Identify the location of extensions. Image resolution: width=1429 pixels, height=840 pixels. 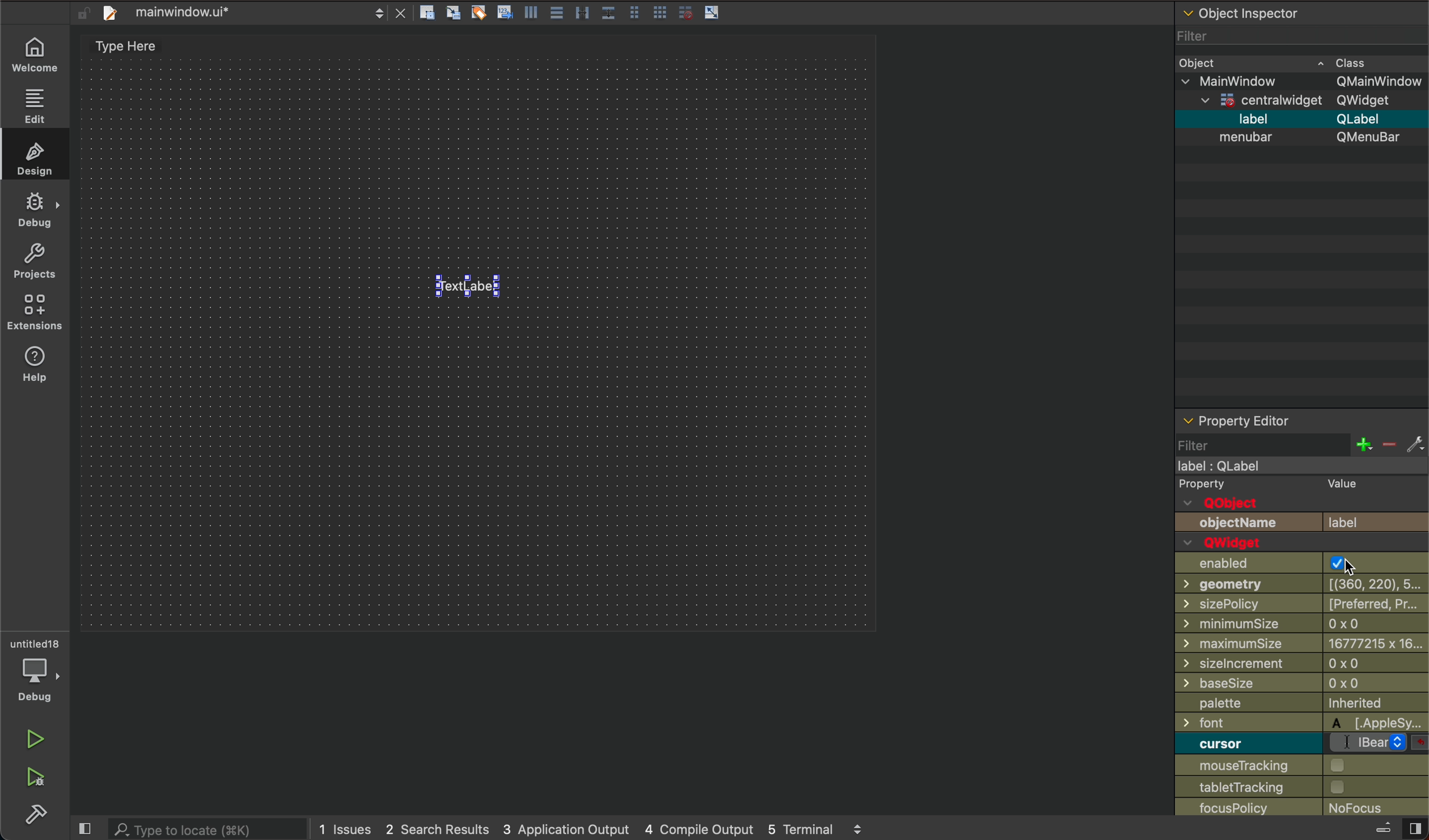
(34, 313).